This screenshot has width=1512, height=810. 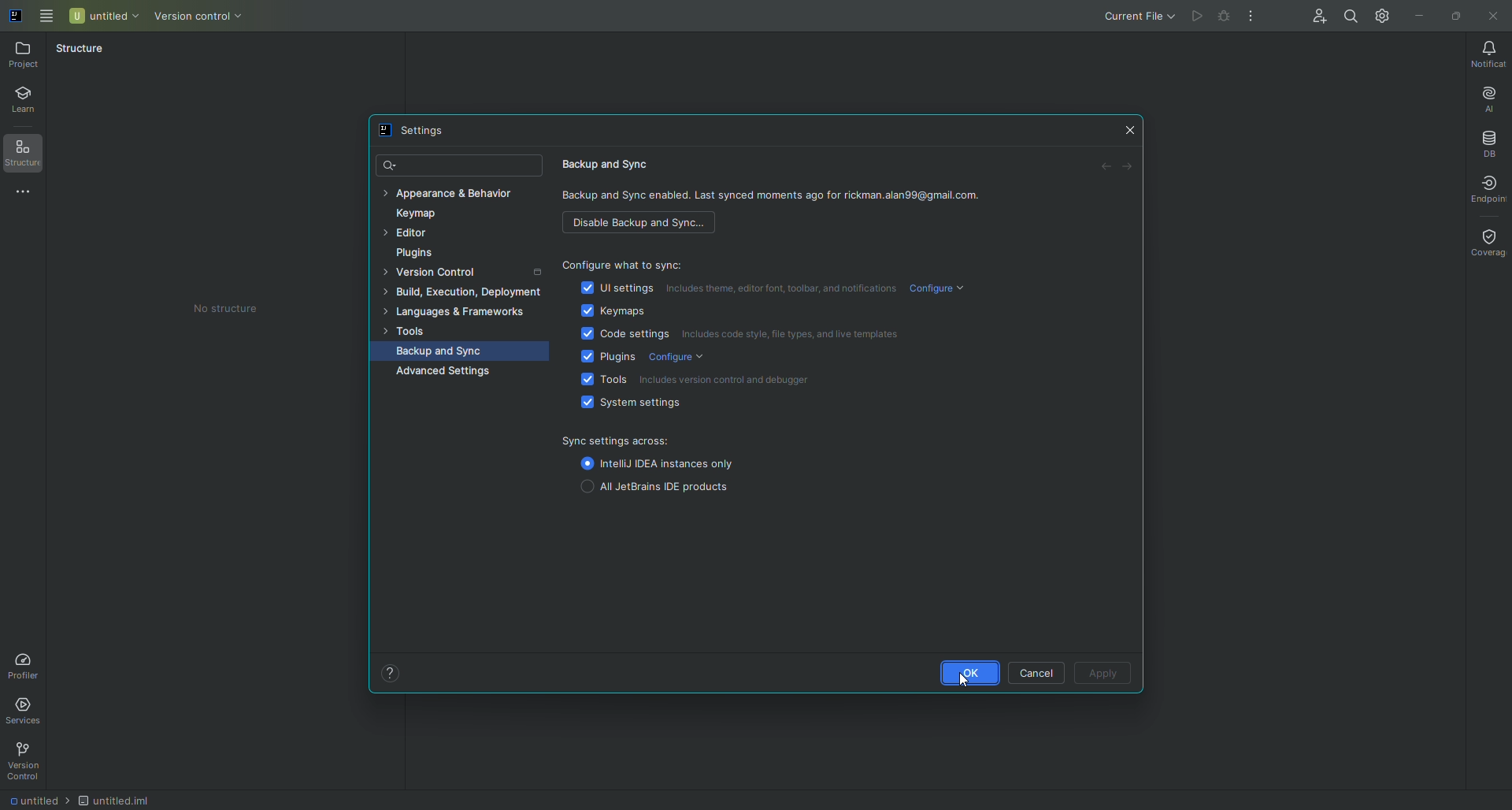 I want to click on No structure, so click(x=239, y=309).